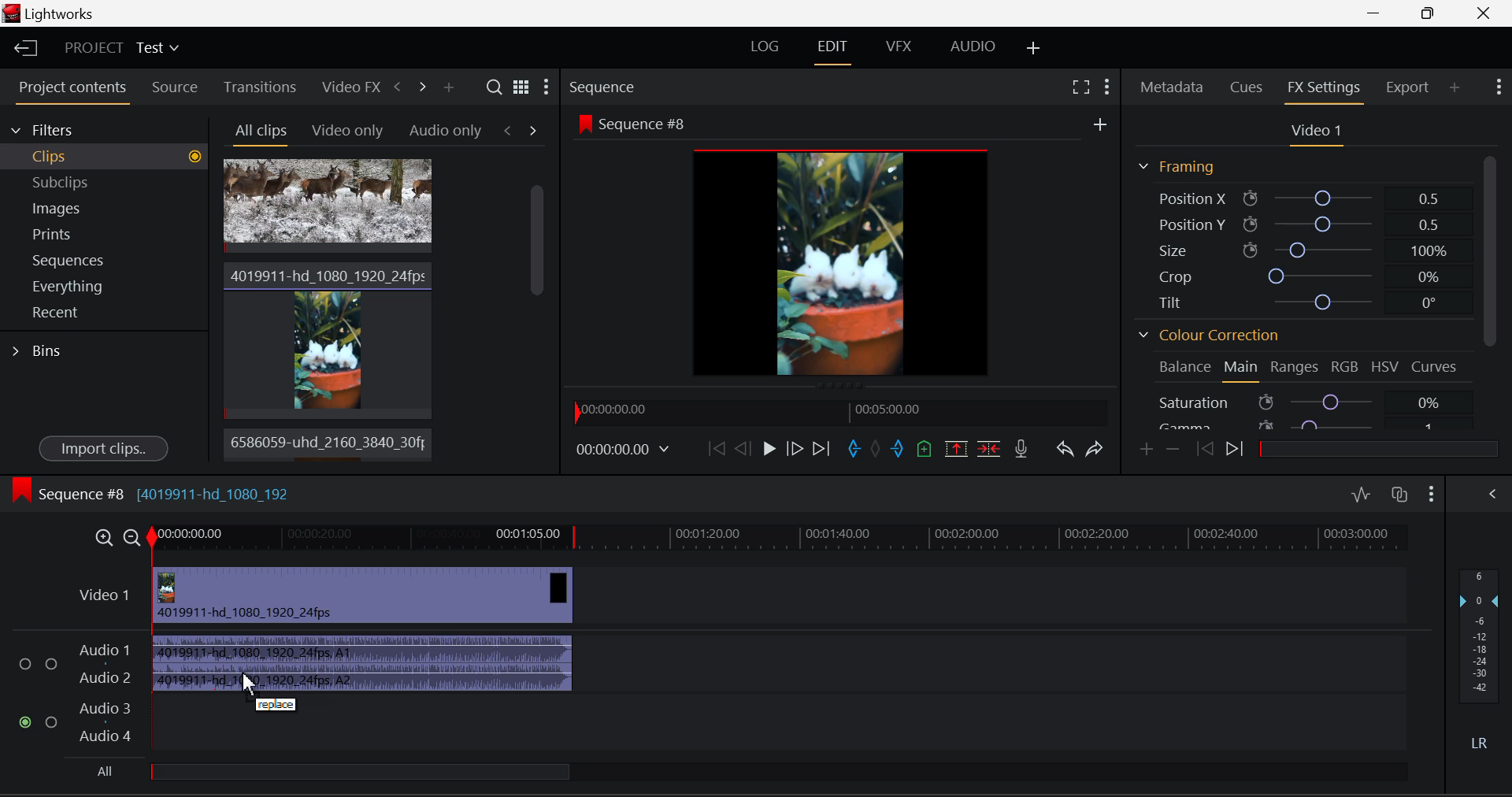 This screenshot has height=797, width=1512. What do you see at coordinates (989, 448) in the screenshot?
I see `Delete/Cut` at bounding box center [989, 448].